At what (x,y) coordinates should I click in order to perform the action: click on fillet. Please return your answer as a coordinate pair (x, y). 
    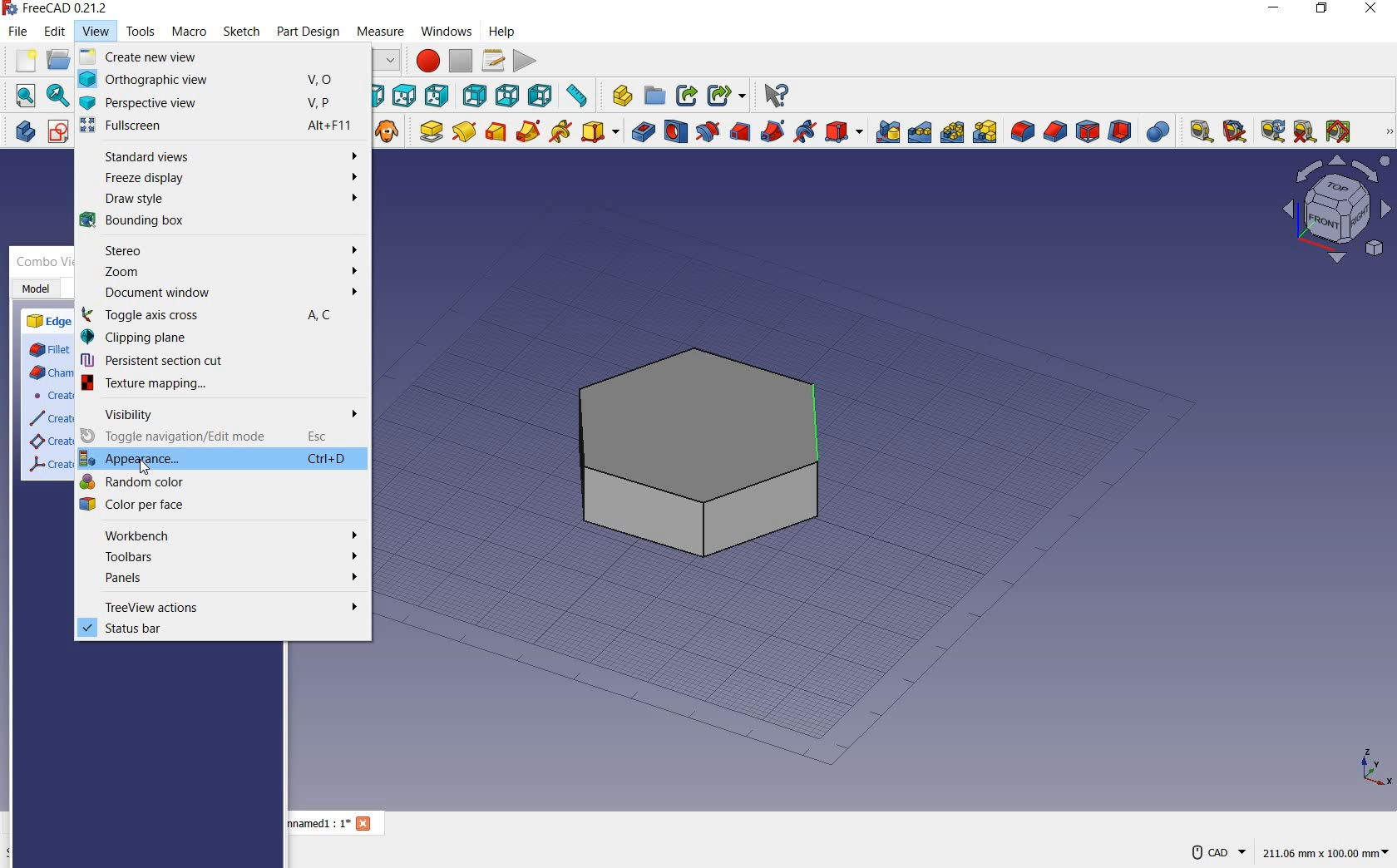
    Looking at the image, I should click on (48, 351).